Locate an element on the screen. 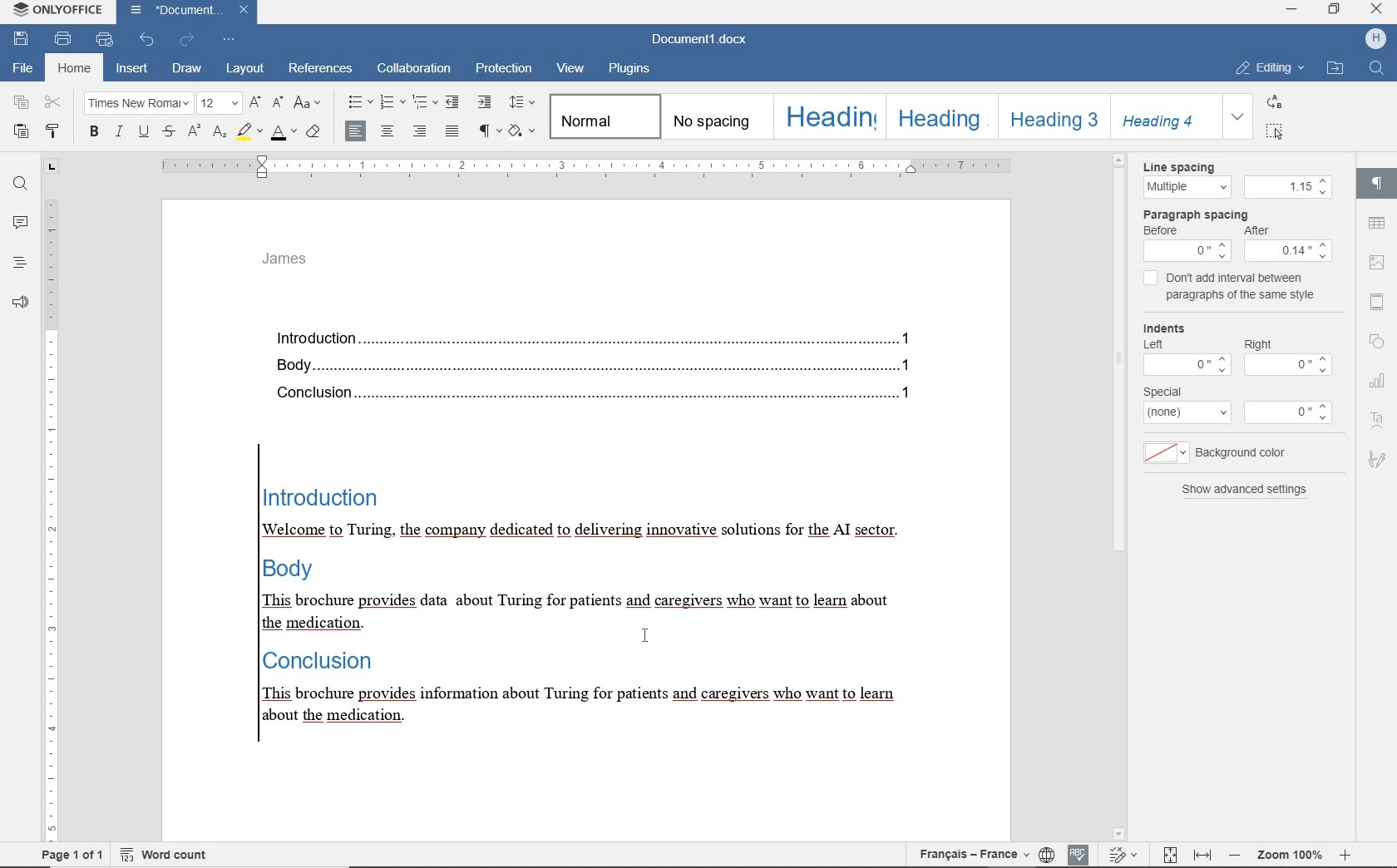 The width and height of the screenshot is (1397, 868). heading 2 is located at coordinates (938, 116).